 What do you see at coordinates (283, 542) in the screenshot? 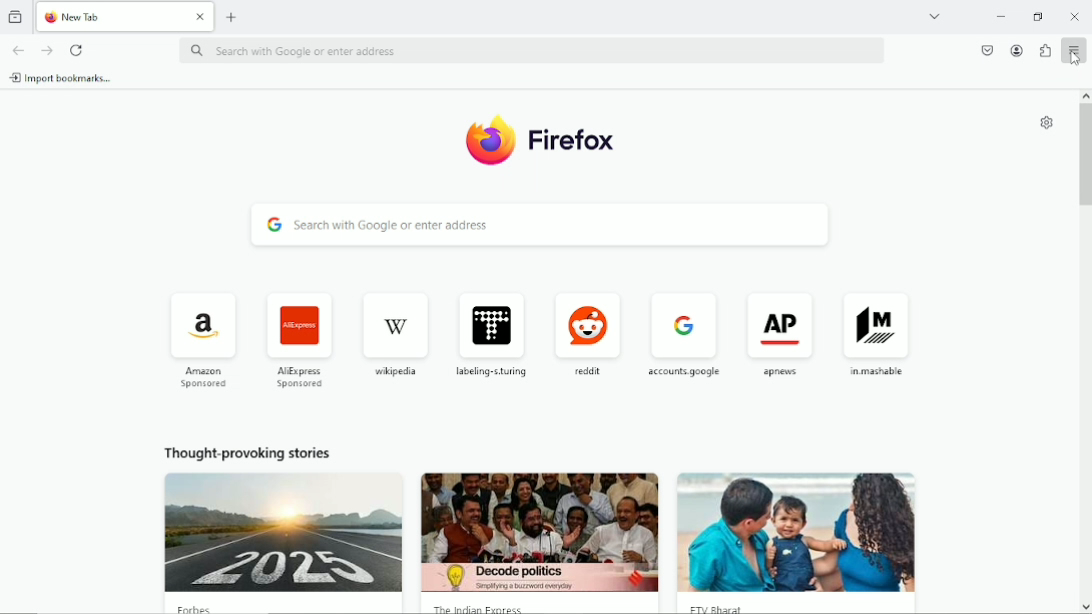
I see `Image` at bounding box center [283, 542].